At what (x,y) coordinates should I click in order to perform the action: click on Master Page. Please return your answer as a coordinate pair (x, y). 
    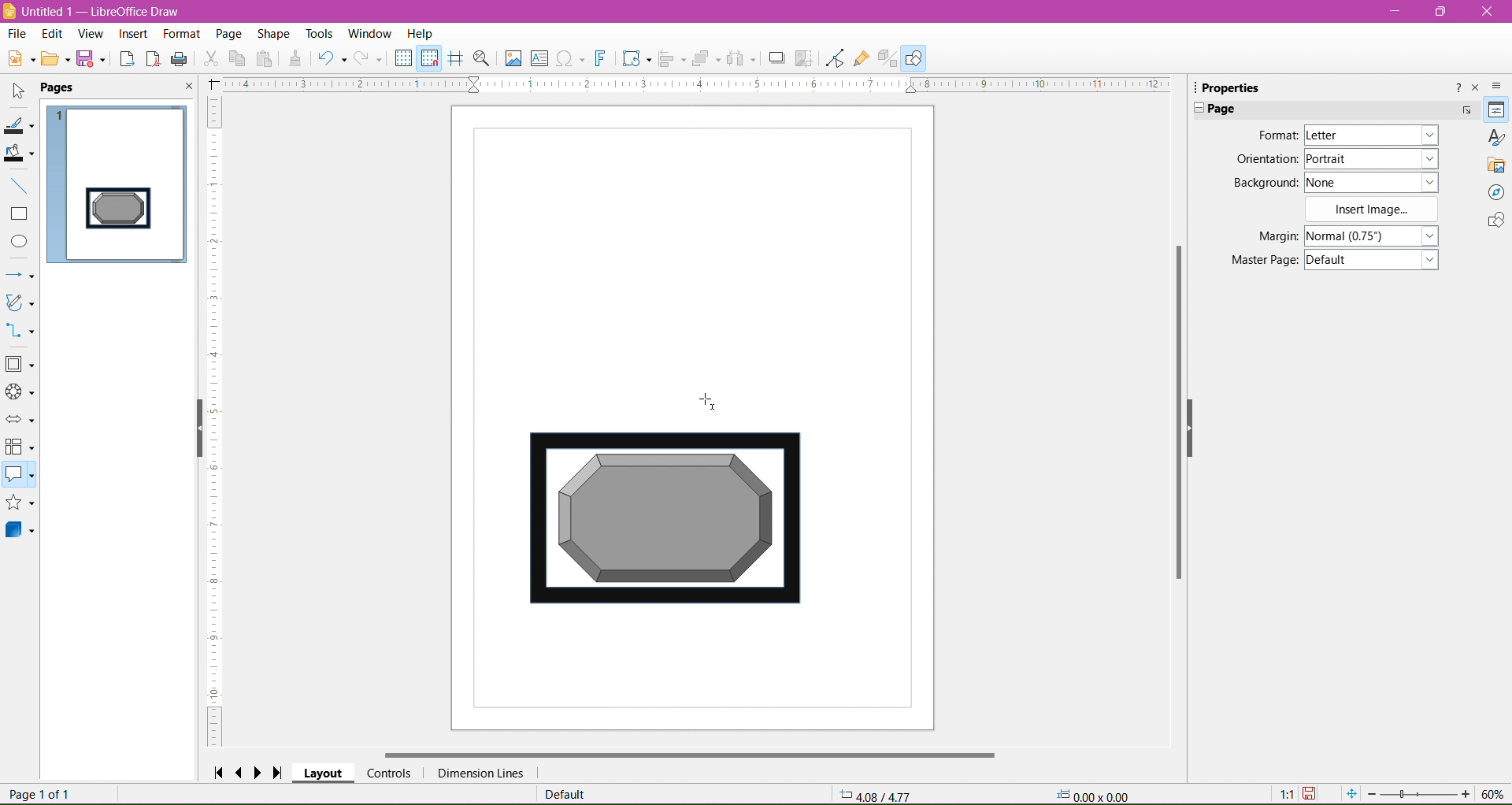
    Looking at the image, I should click on (1259, 261).